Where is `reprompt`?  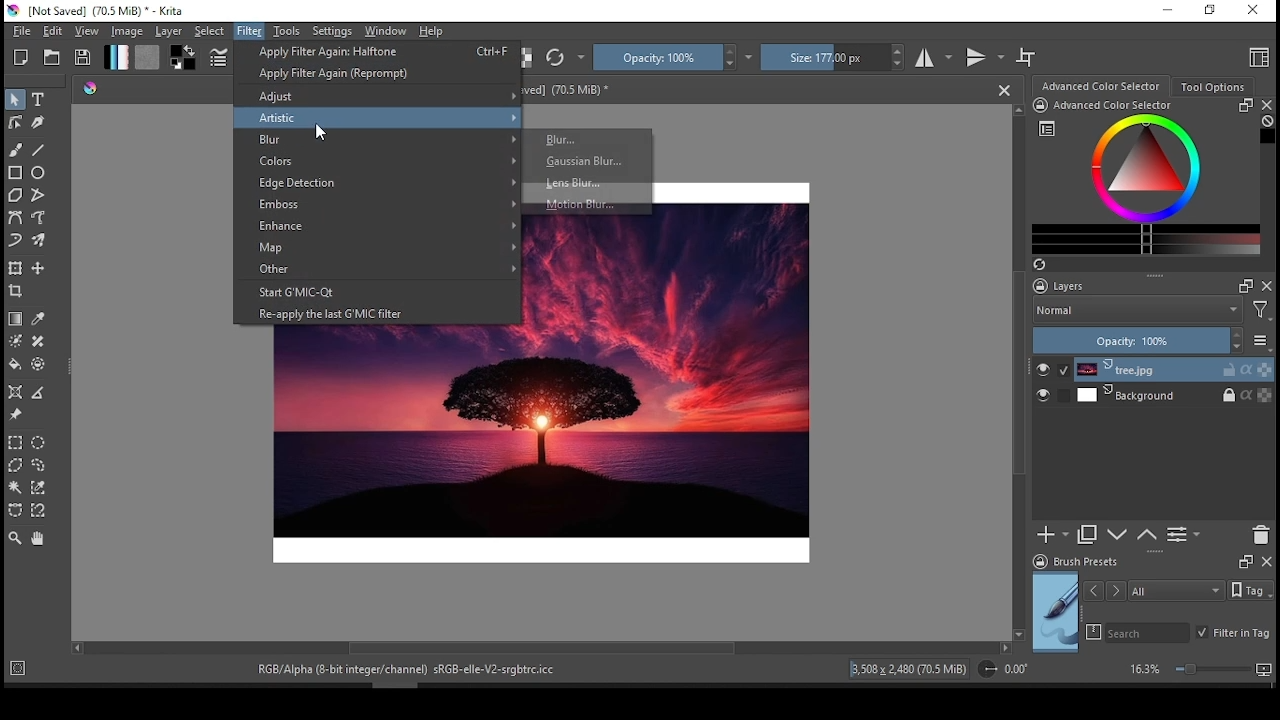
reprompt is located at coordinates (336, 74).